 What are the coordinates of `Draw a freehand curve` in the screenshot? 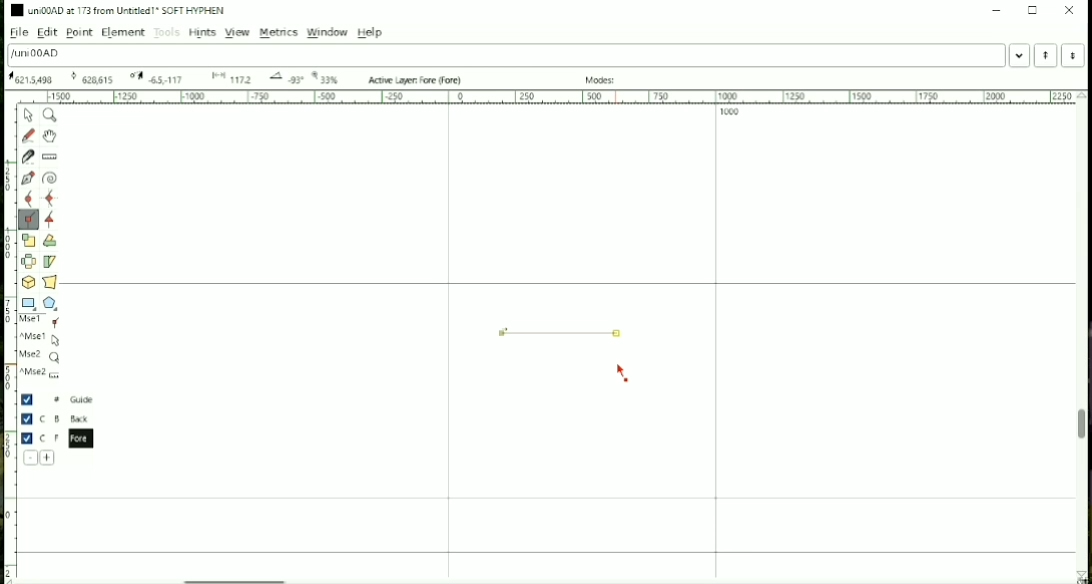 It's located at (28, 135).